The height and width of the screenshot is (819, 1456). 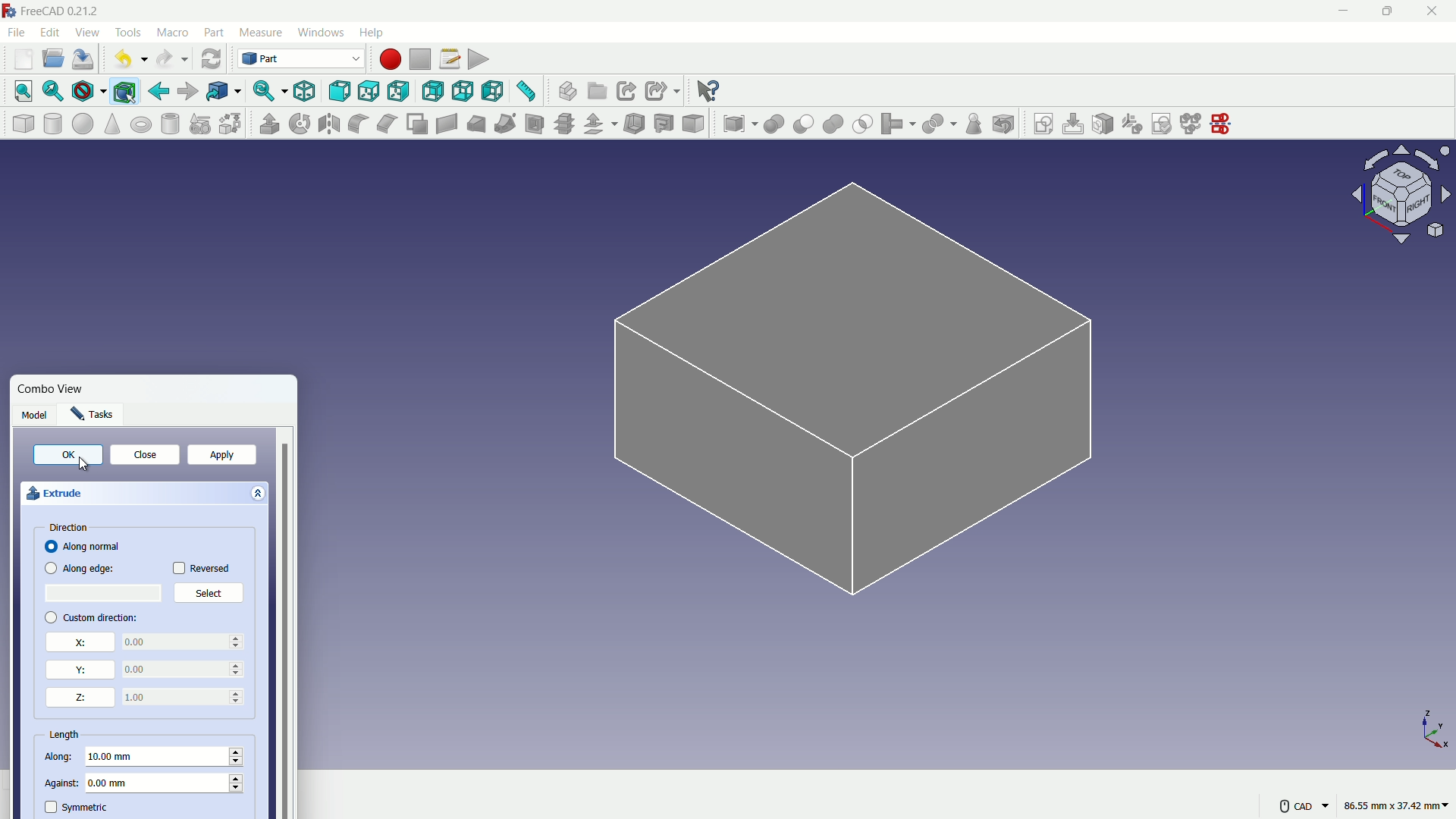 I want to click on isometric view, so click(x=305, y=92).